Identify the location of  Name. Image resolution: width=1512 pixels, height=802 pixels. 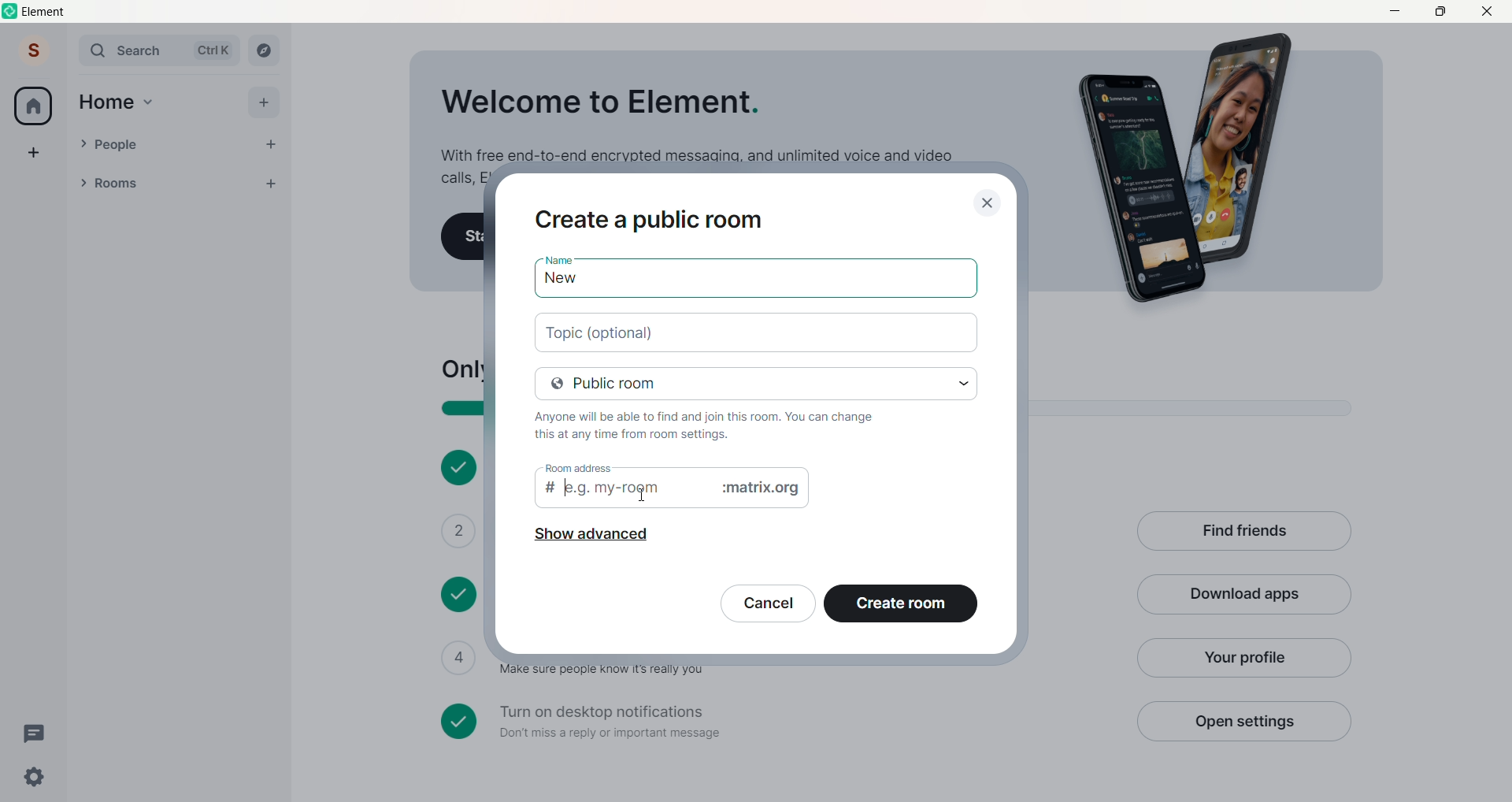
(558, 256).